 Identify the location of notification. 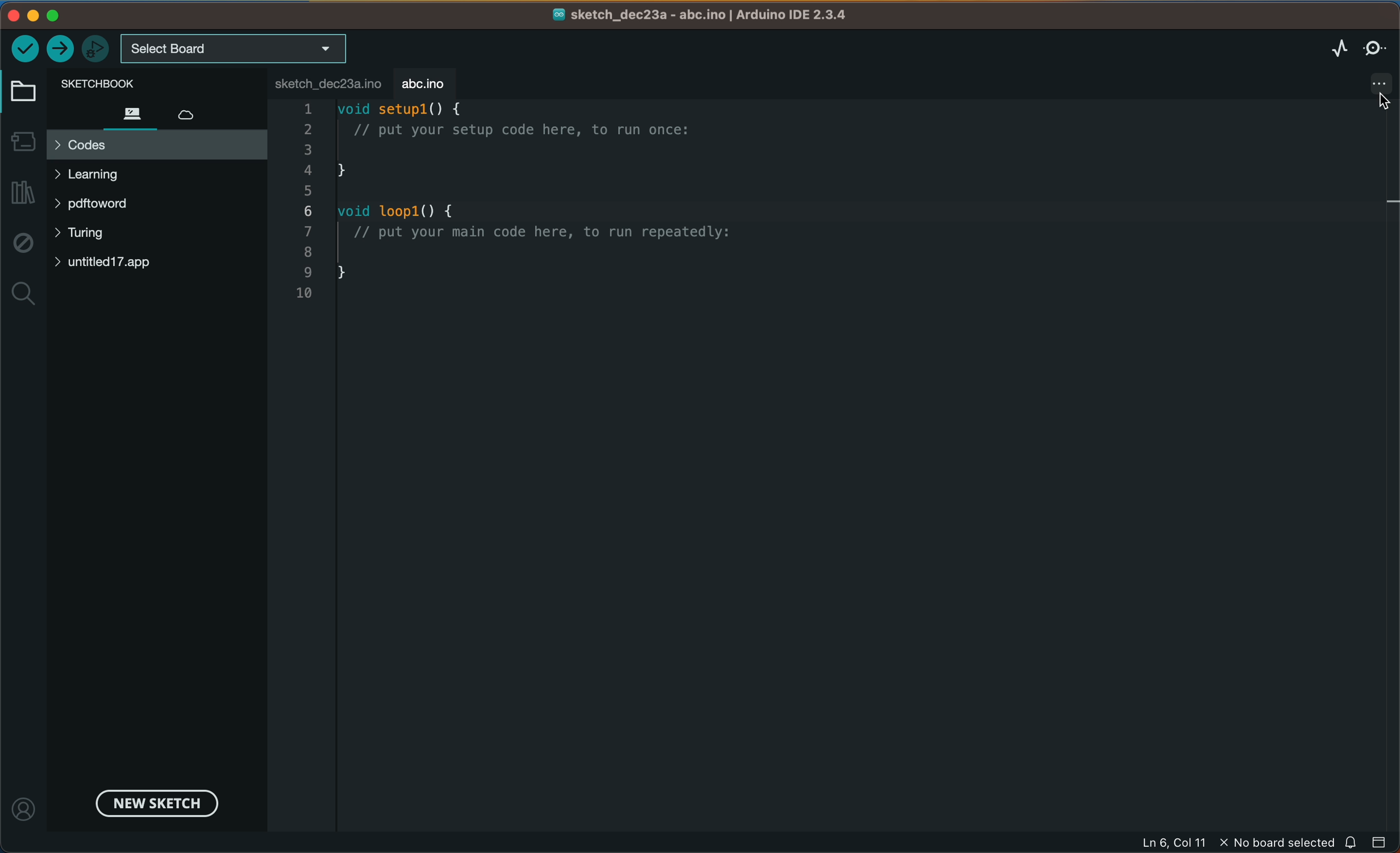
(1353, 842).